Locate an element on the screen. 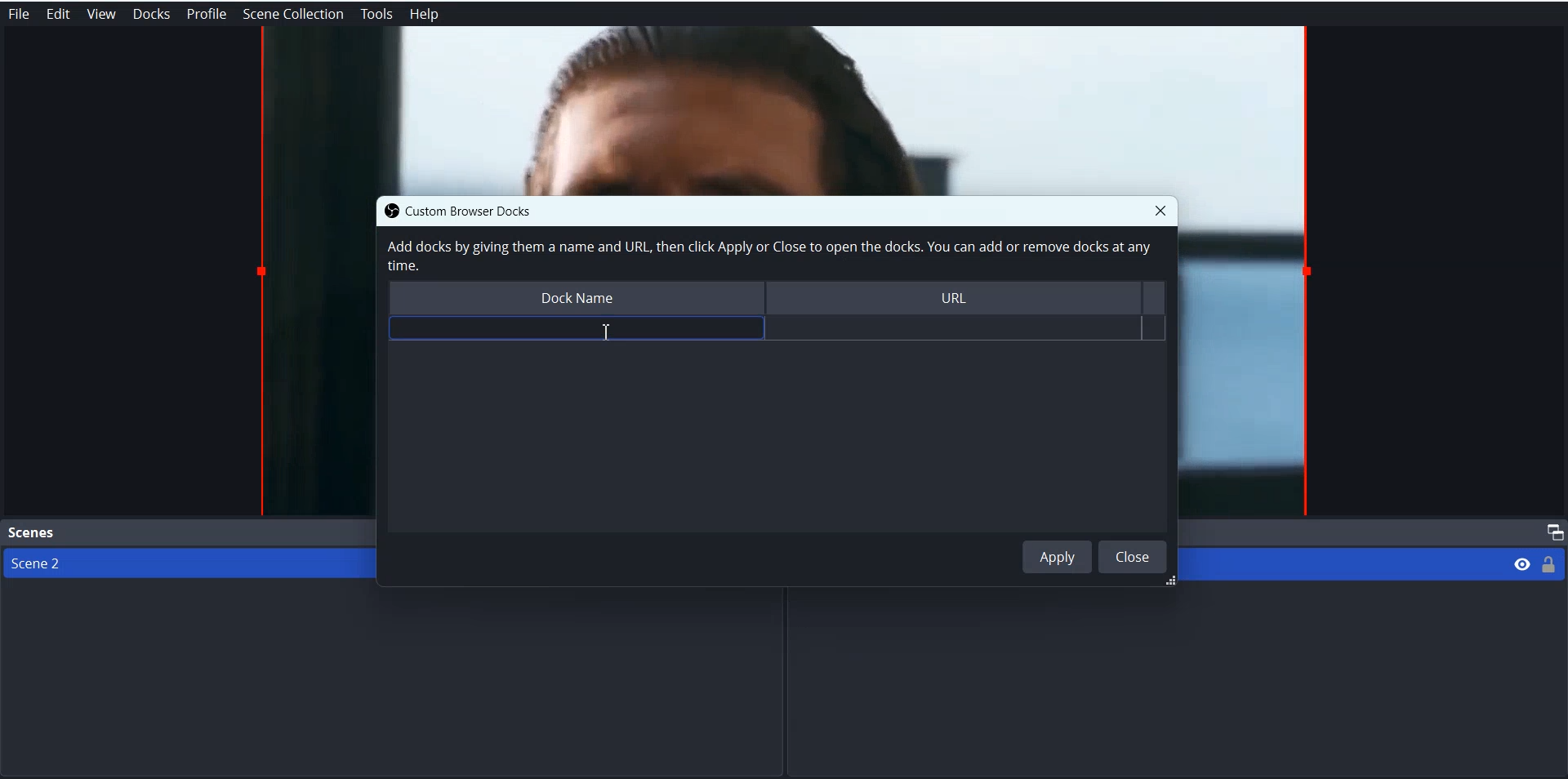 The image size is (1568, 779). Add docks by giving them a name and URL, then click Apply or Close to open the docks. You can add or remove docks at any
time. is located at coordinates (767, 256).